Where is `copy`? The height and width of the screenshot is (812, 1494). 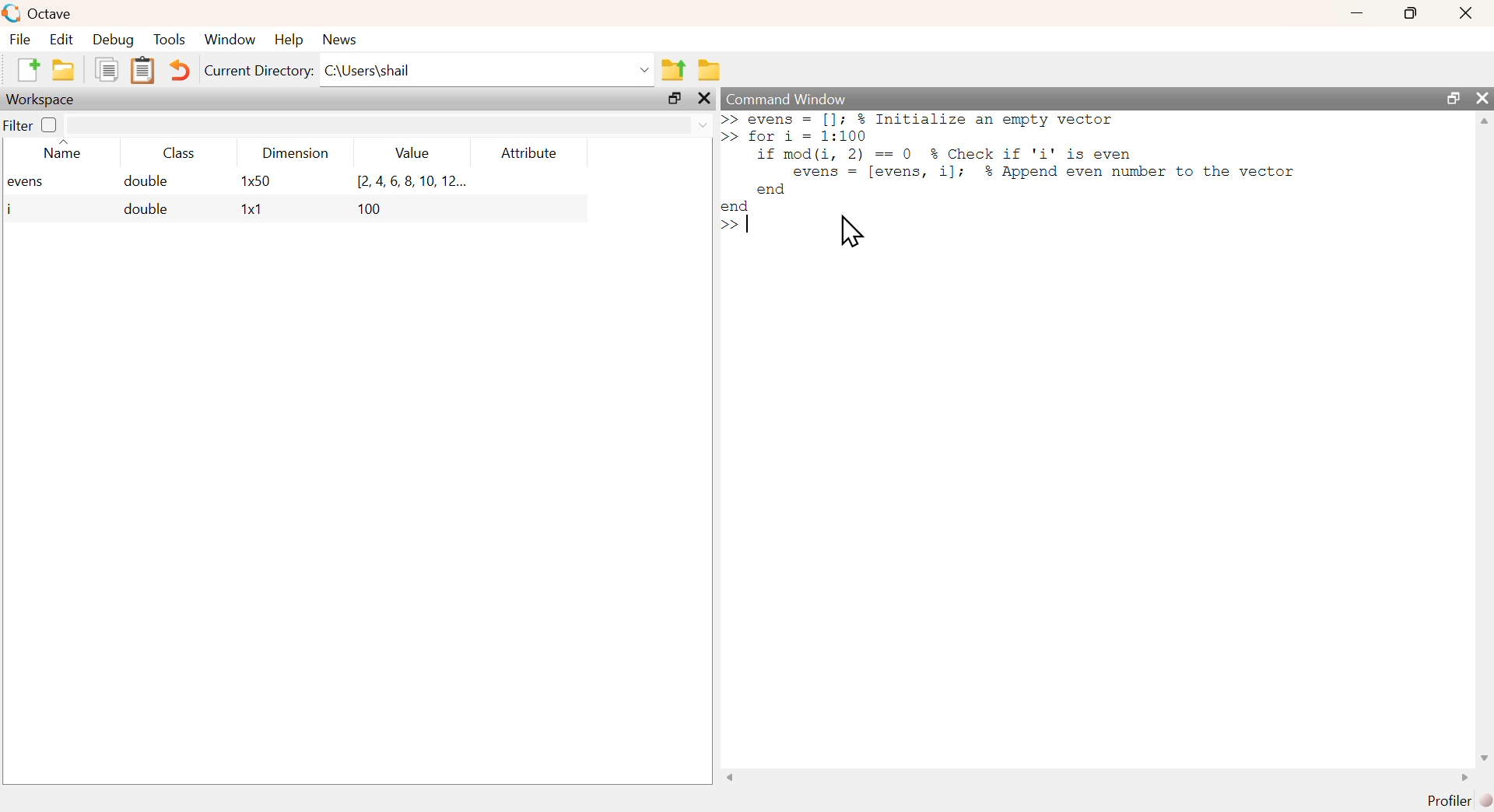
copy is located at coordinates (105, 72).